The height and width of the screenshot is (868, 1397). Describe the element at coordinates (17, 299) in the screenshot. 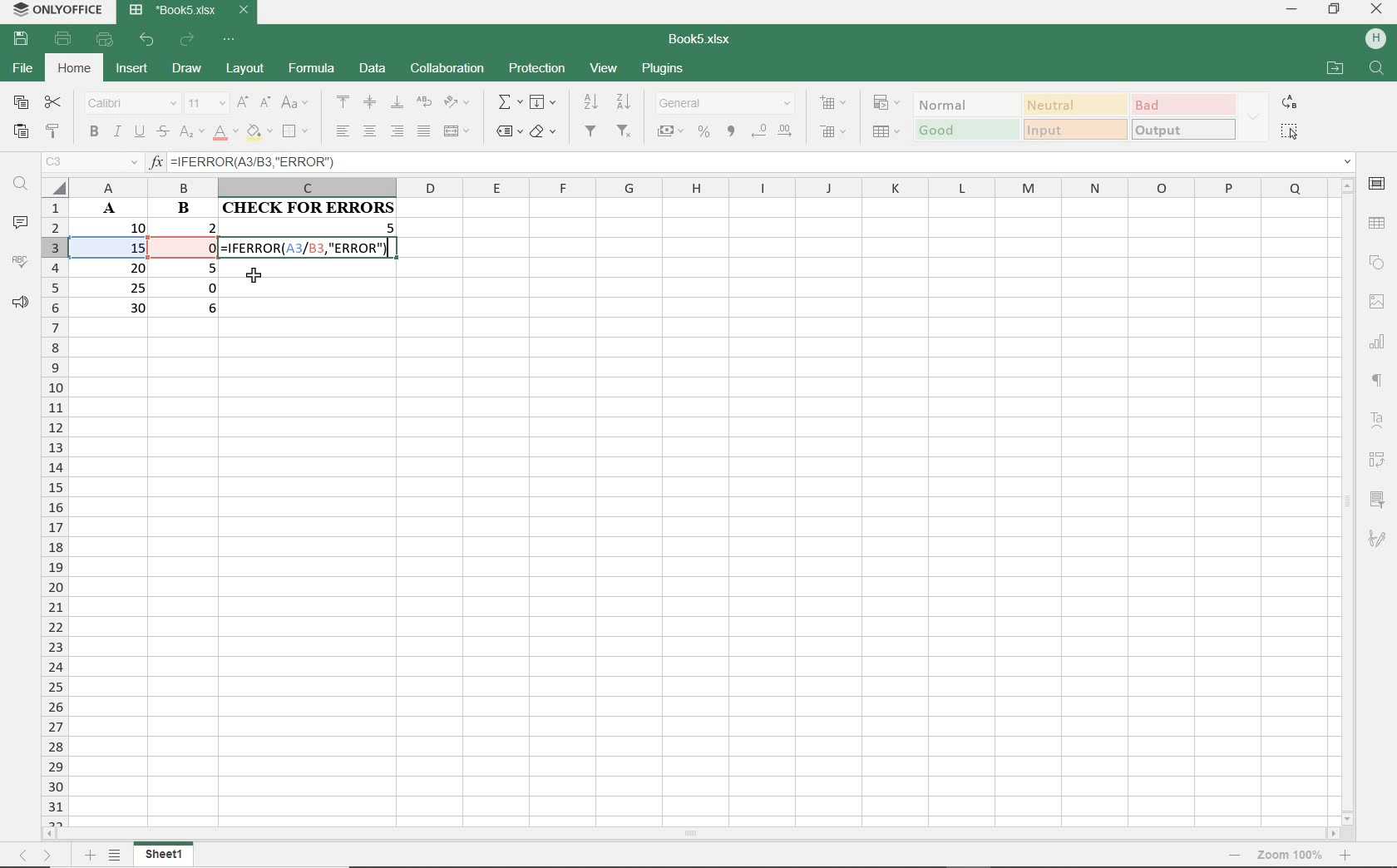

I see `FEEDBACK & SUPPORT` at that location.